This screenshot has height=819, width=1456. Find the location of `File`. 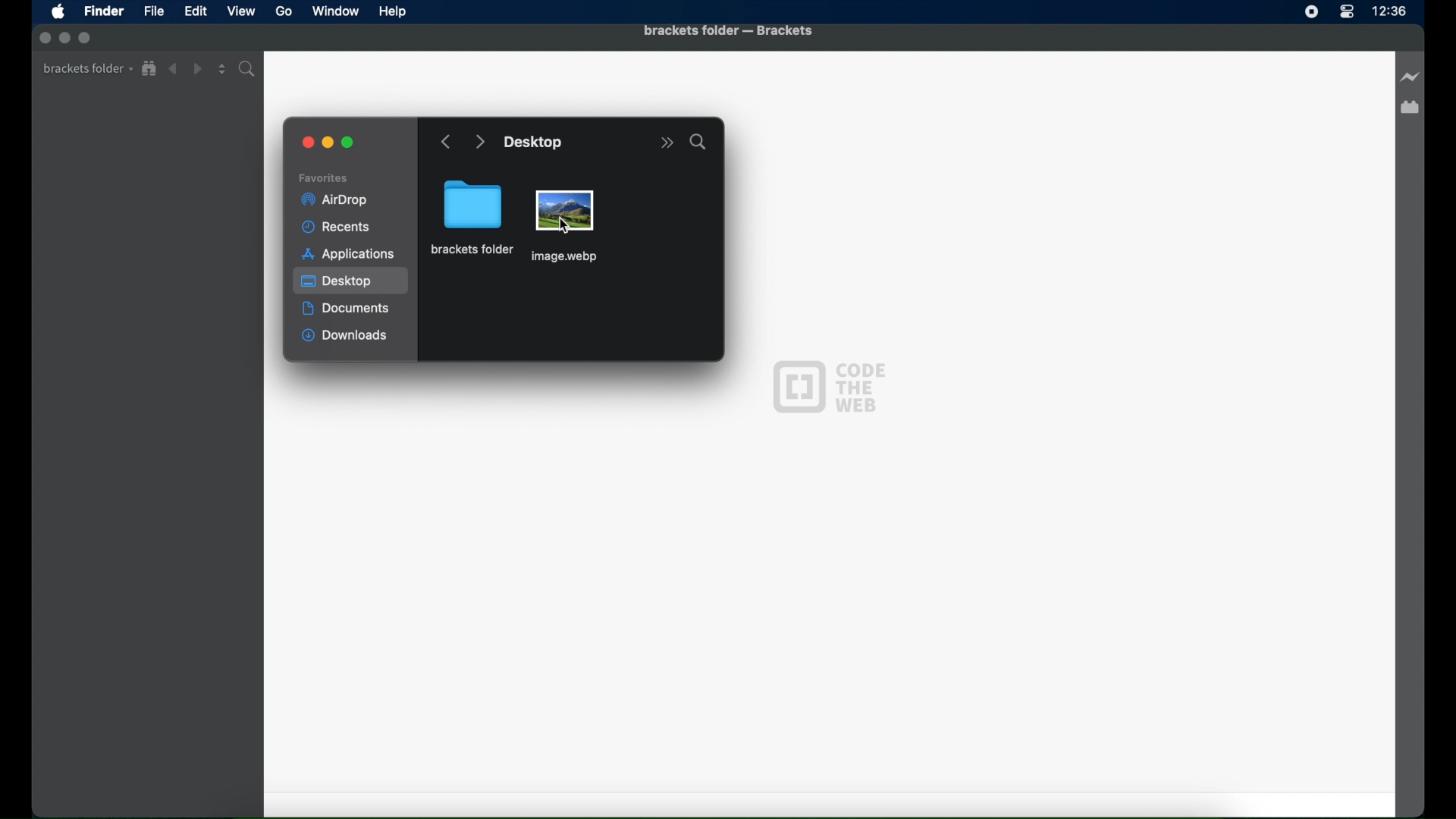

File is located at coordinates (154, 11).